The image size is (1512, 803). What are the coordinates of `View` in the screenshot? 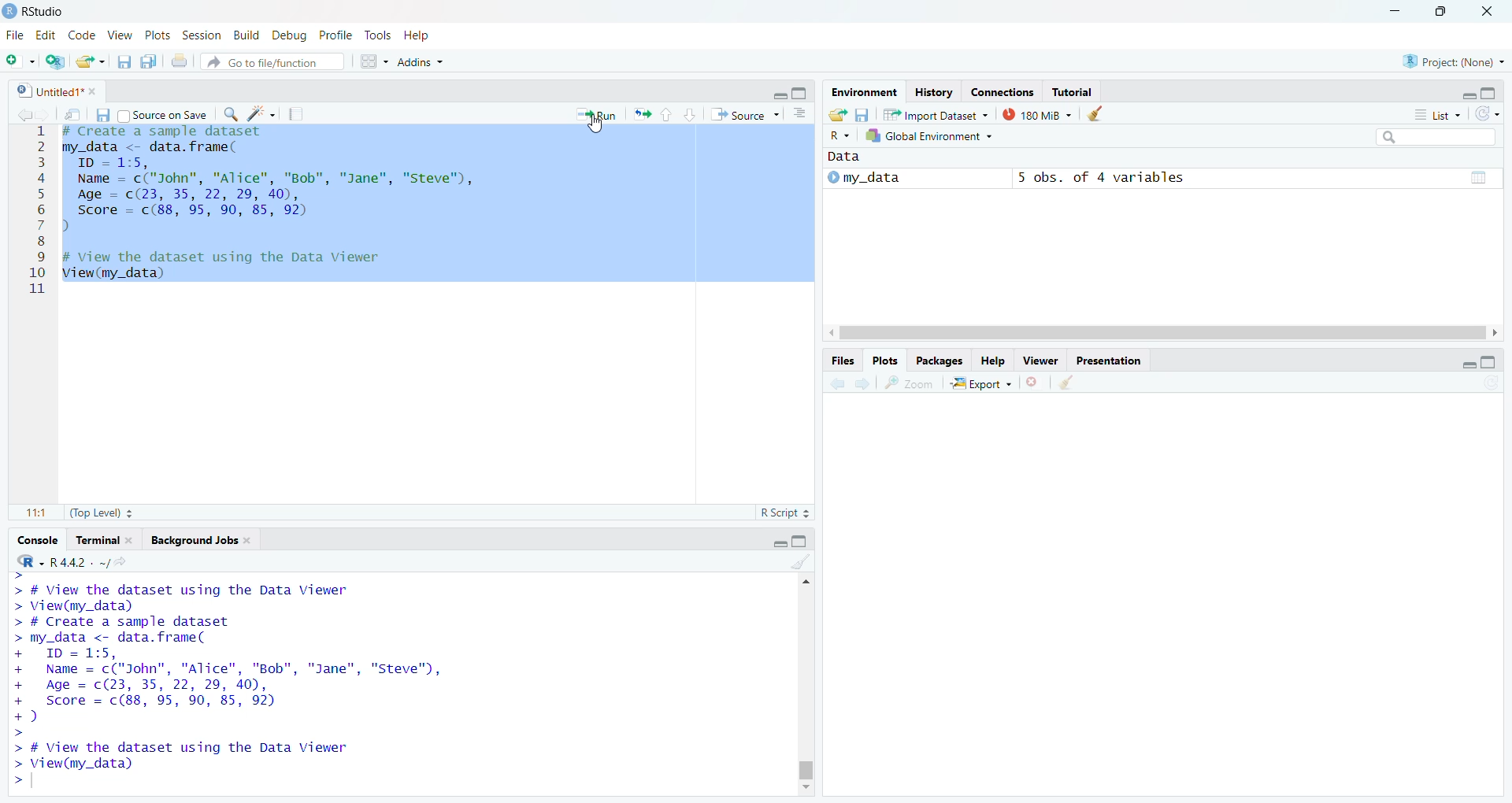 It's located at (122, 35).